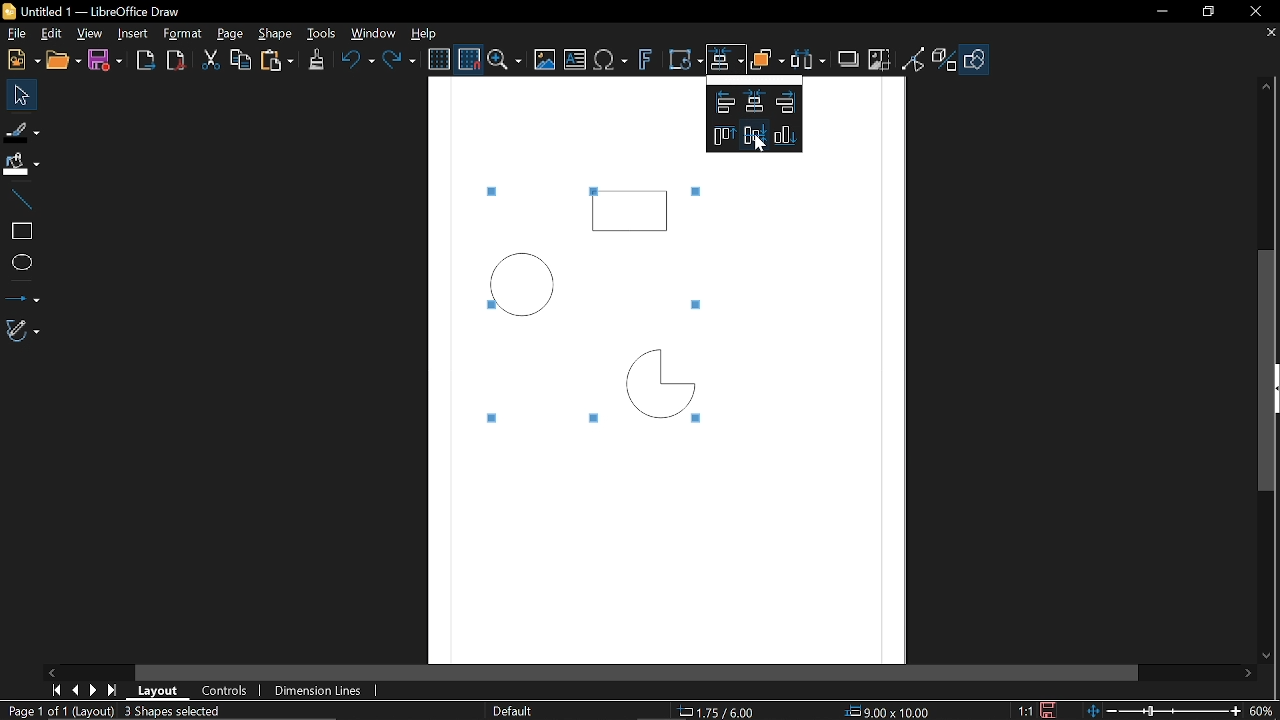 This screenshot has width=1280, height=720. I want to click on B Untitled 1 — LibreOffice Draw, so click(110, 11).